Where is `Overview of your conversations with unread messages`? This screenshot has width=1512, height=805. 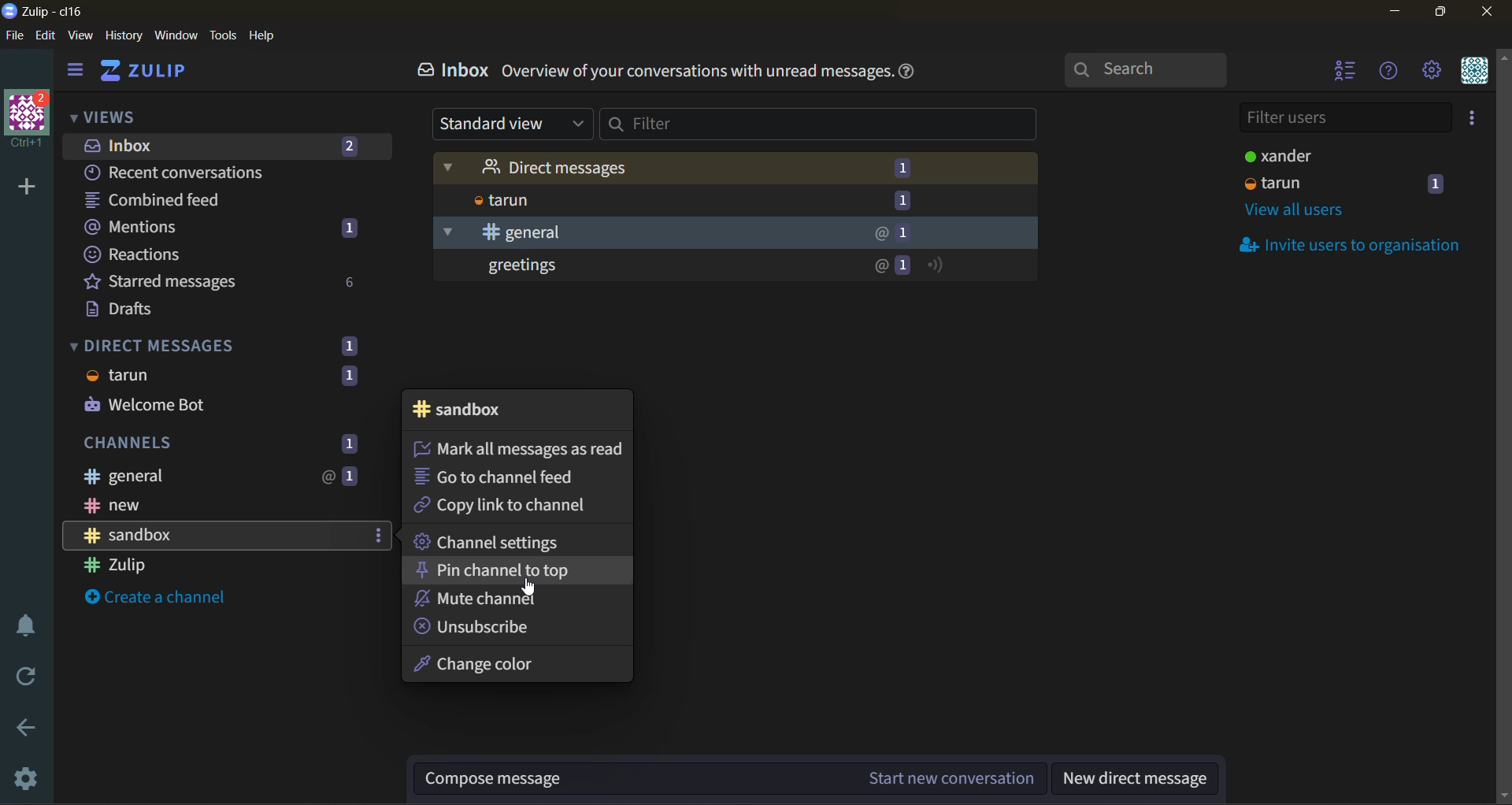 Overview of your conversations with unread messages is located at coordinates (696, 73).